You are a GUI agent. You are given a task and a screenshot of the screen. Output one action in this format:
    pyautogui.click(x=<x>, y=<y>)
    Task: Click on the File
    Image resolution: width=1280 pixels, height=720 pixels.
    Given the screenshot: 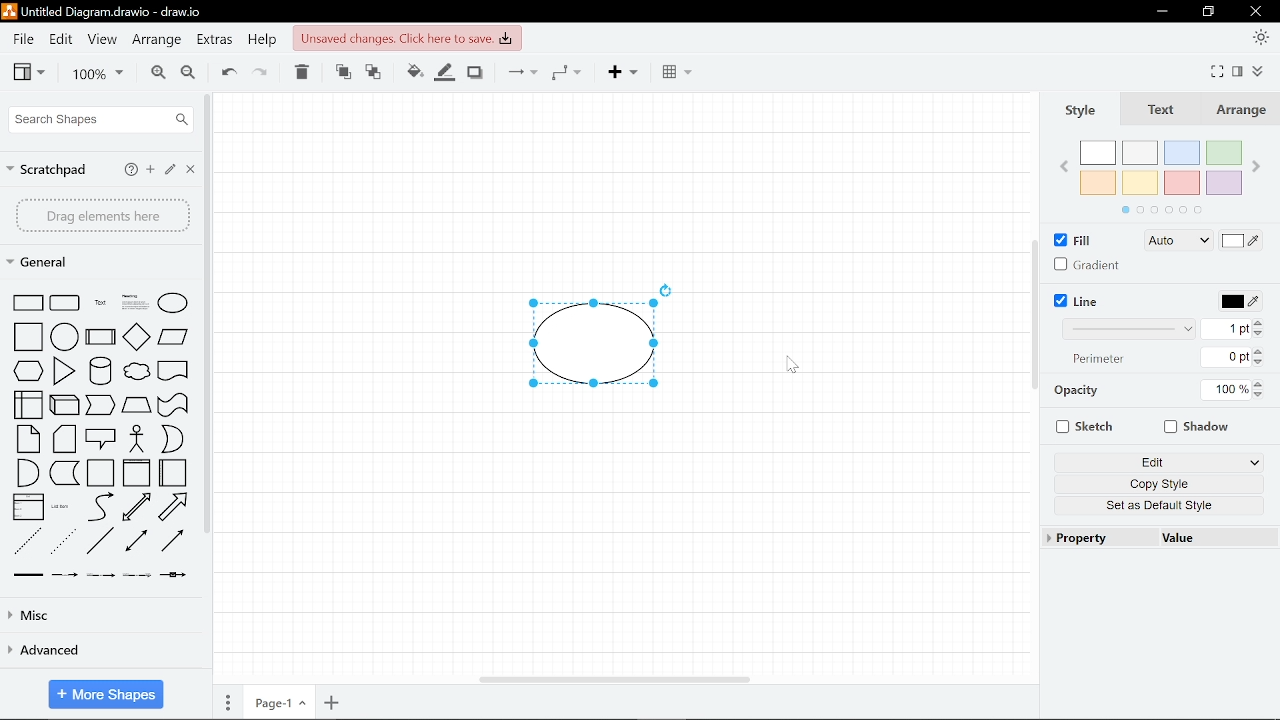 What is the action you would take?
    pyautogui.click(x=23, y=38)
    